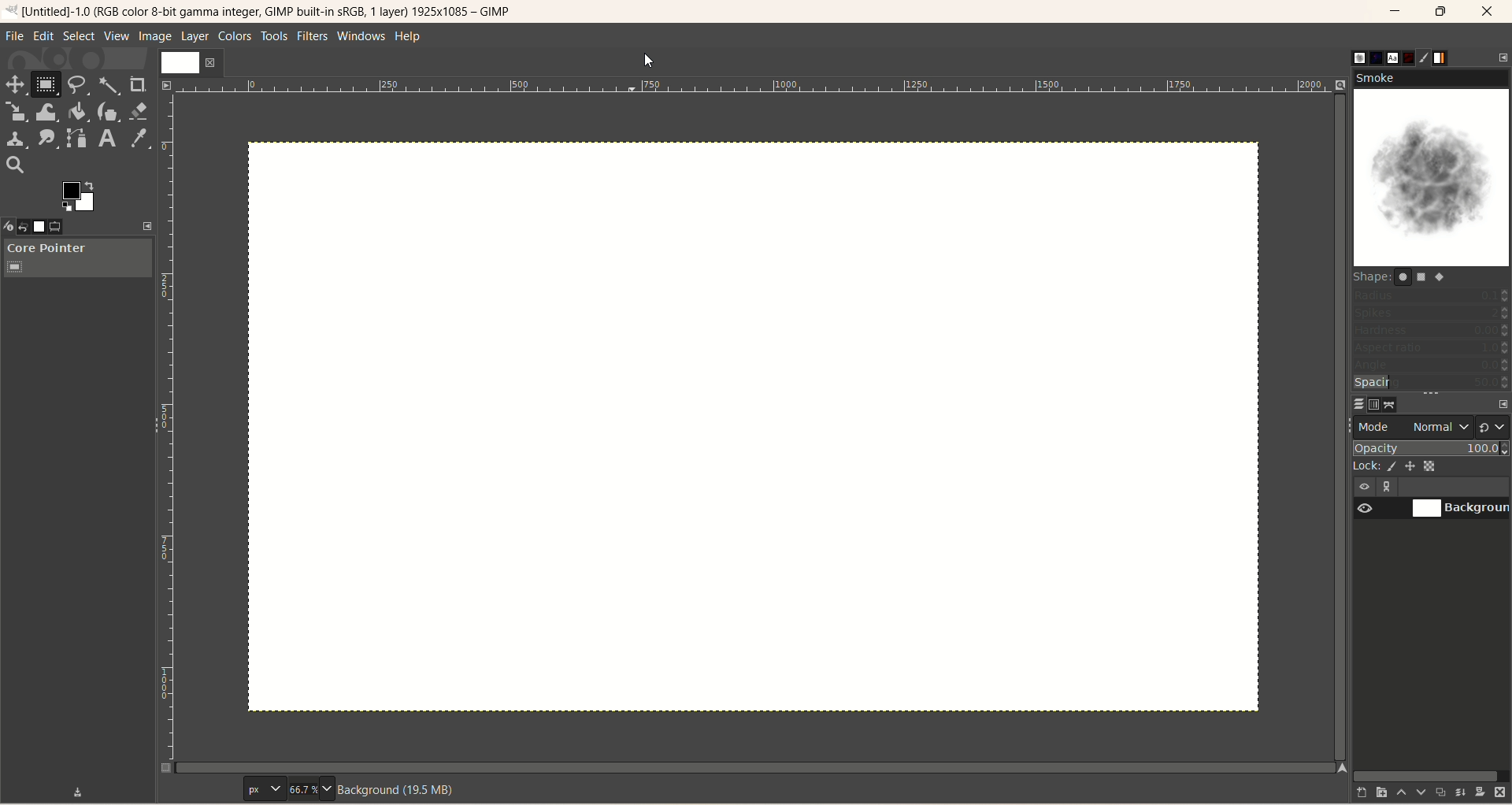 The width and height of the screenshot is (1512, 805). I want to click on file, so click(15, 38).